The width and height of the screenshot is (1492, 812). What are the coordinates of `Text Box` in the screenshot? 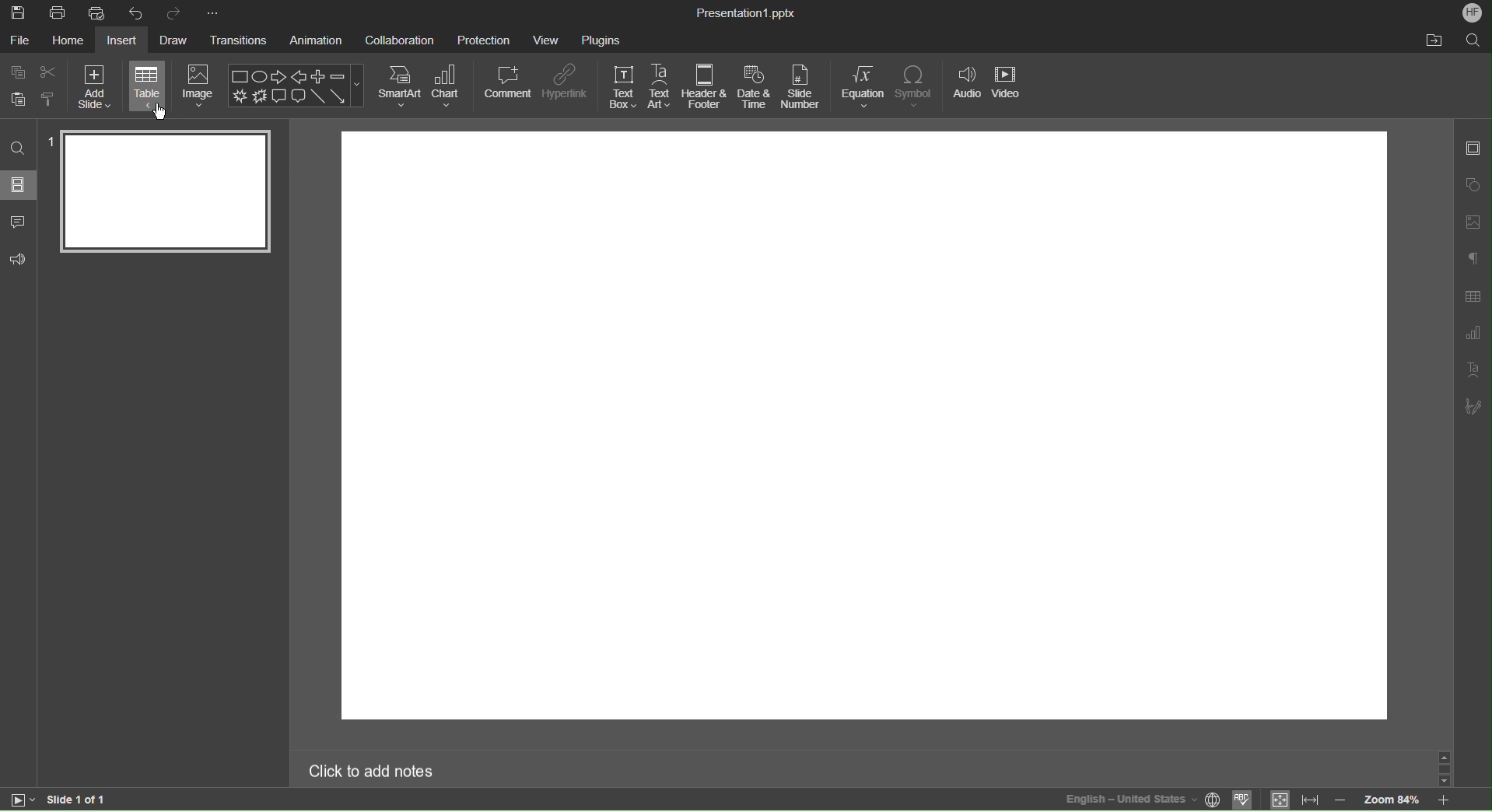 It's located at (623, 86).